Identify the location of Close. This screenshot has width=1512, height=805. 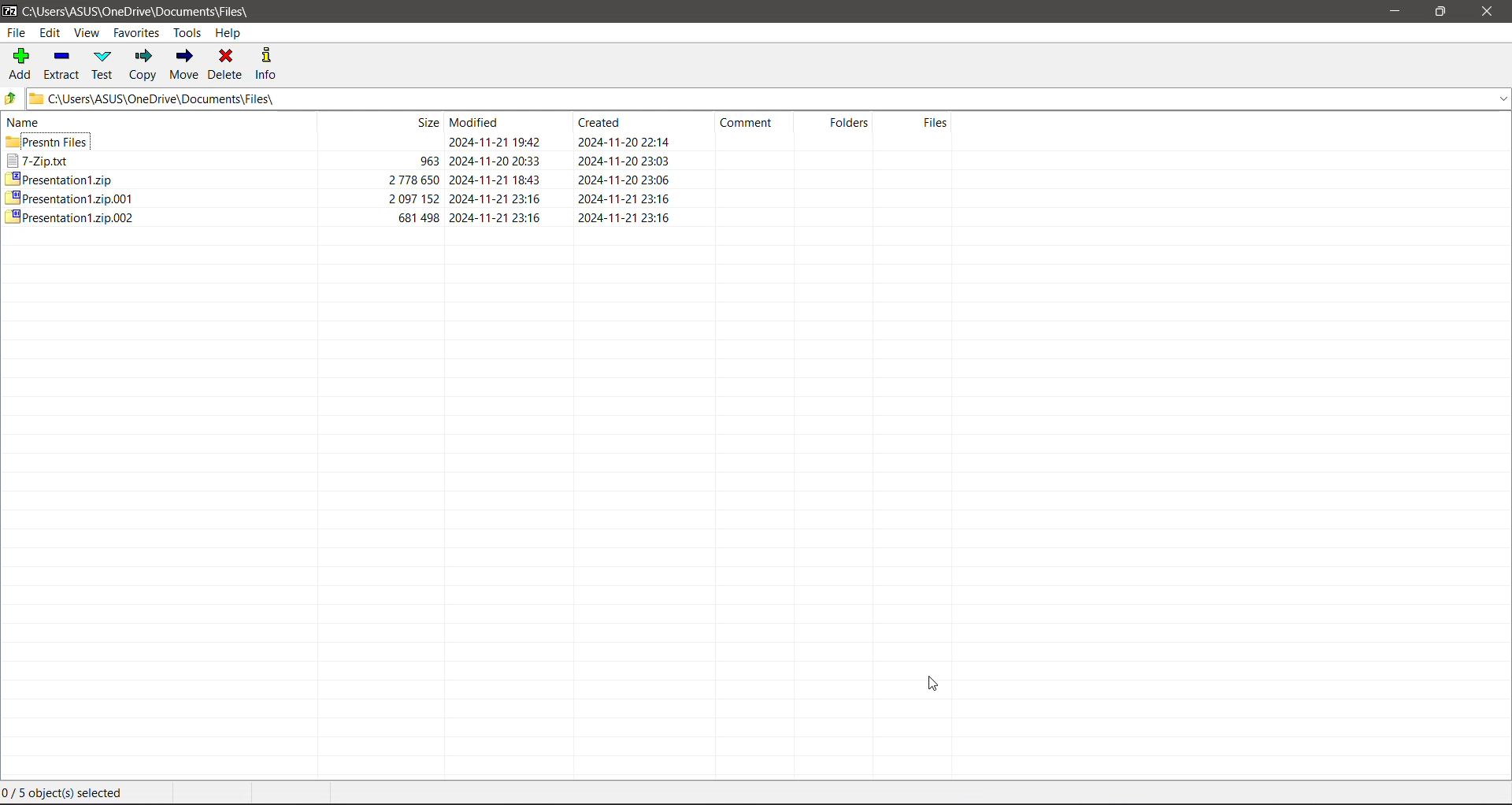
(1487, 13).